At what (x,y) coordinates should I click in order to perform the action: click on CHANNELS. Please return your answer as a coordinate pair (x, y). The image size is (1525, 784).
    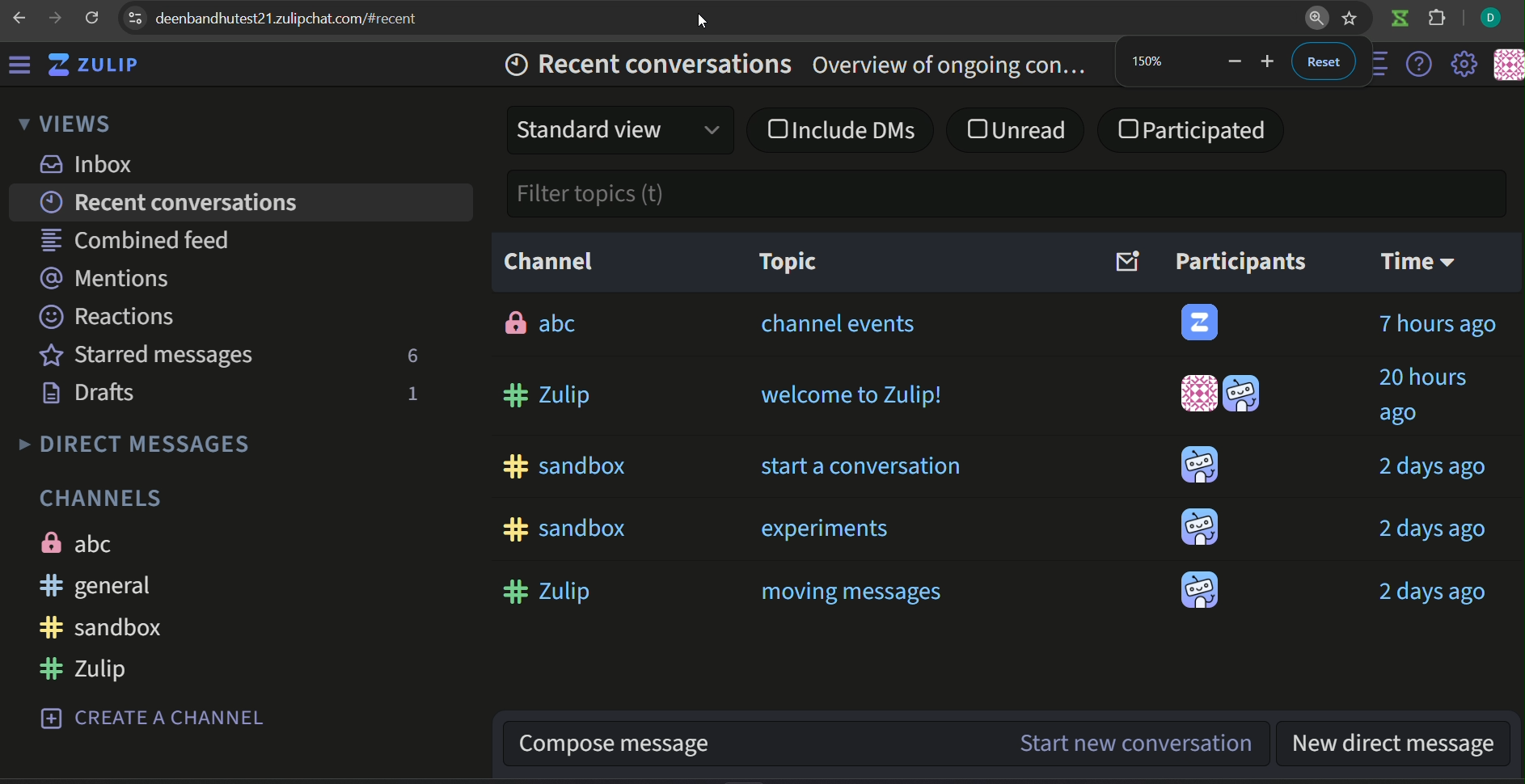
    Looking at the image, I should click on (106, 498).